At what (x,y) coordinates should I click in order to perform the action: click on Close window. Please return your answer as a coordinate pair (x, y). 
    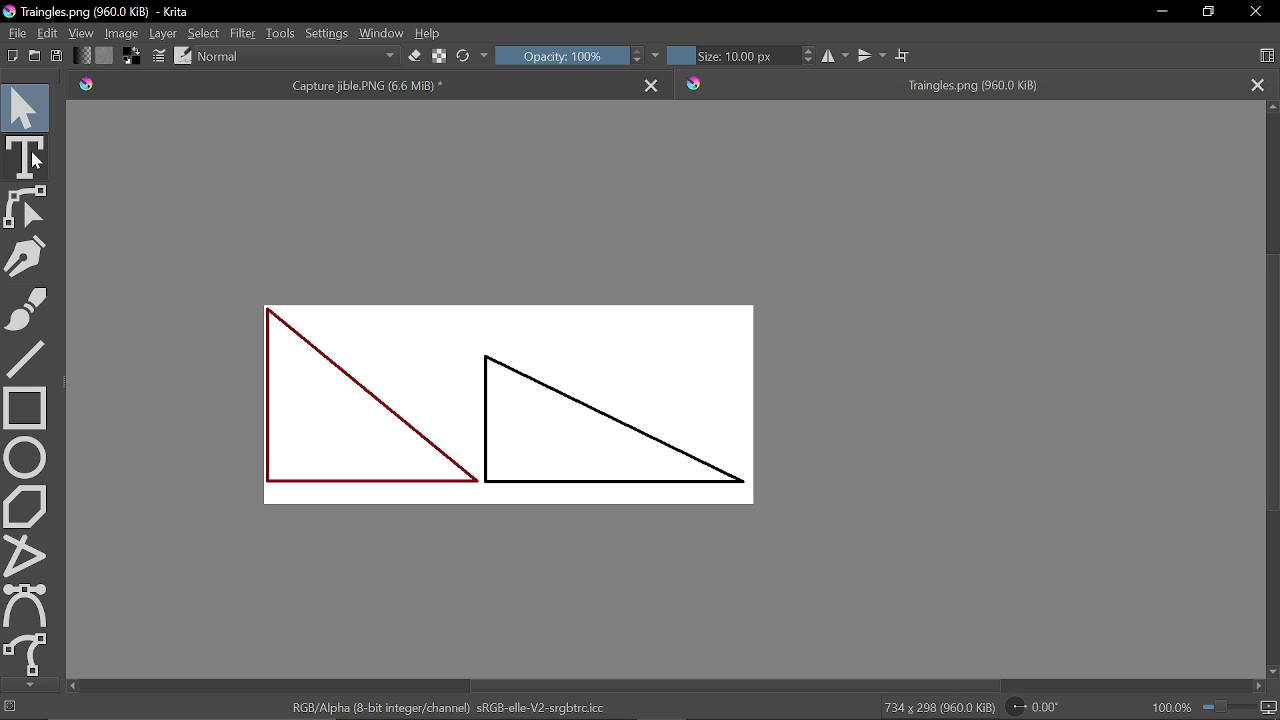
    Looking at the image, I should click on (1254, 12).